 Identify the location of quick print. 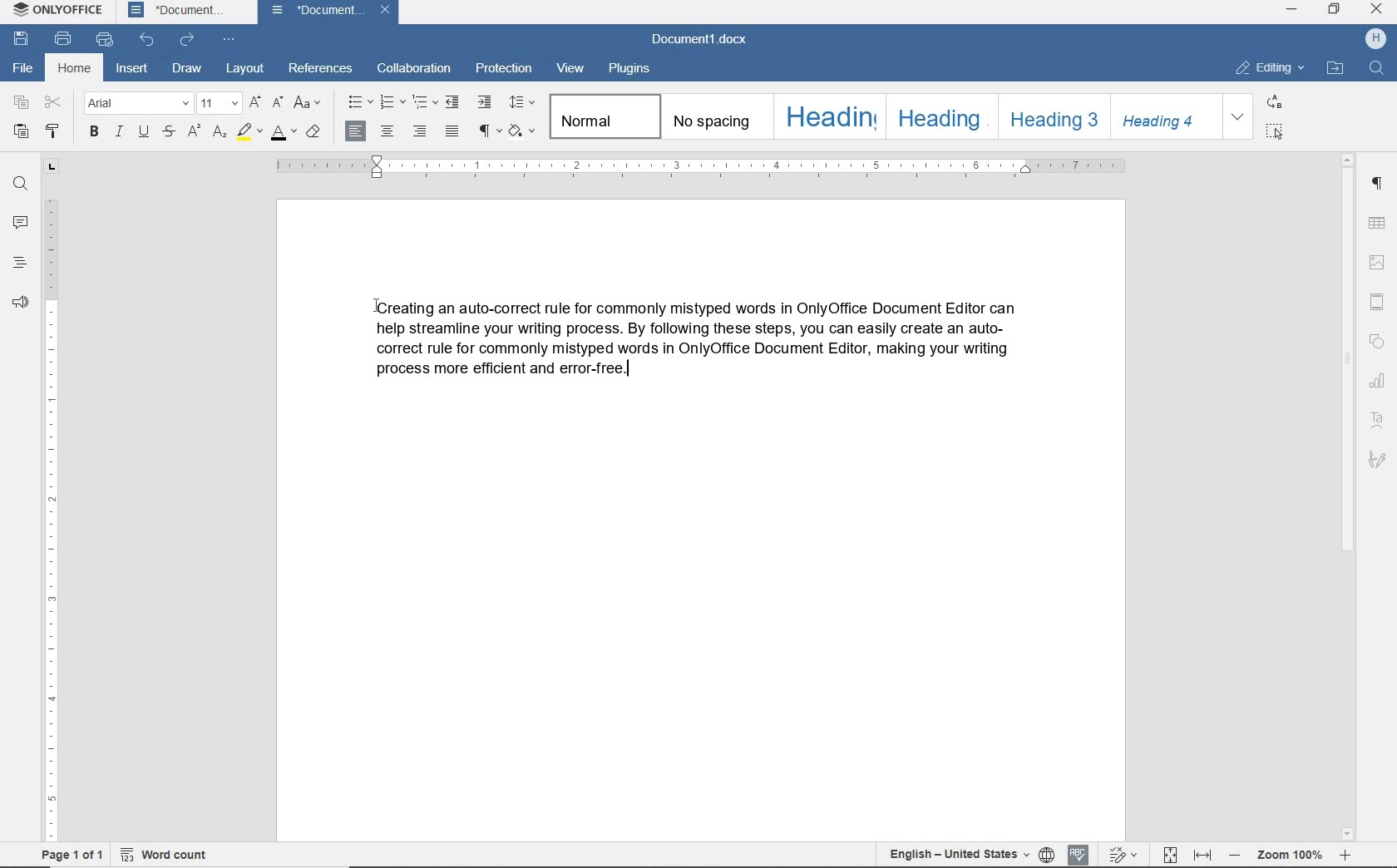
(106, 38).